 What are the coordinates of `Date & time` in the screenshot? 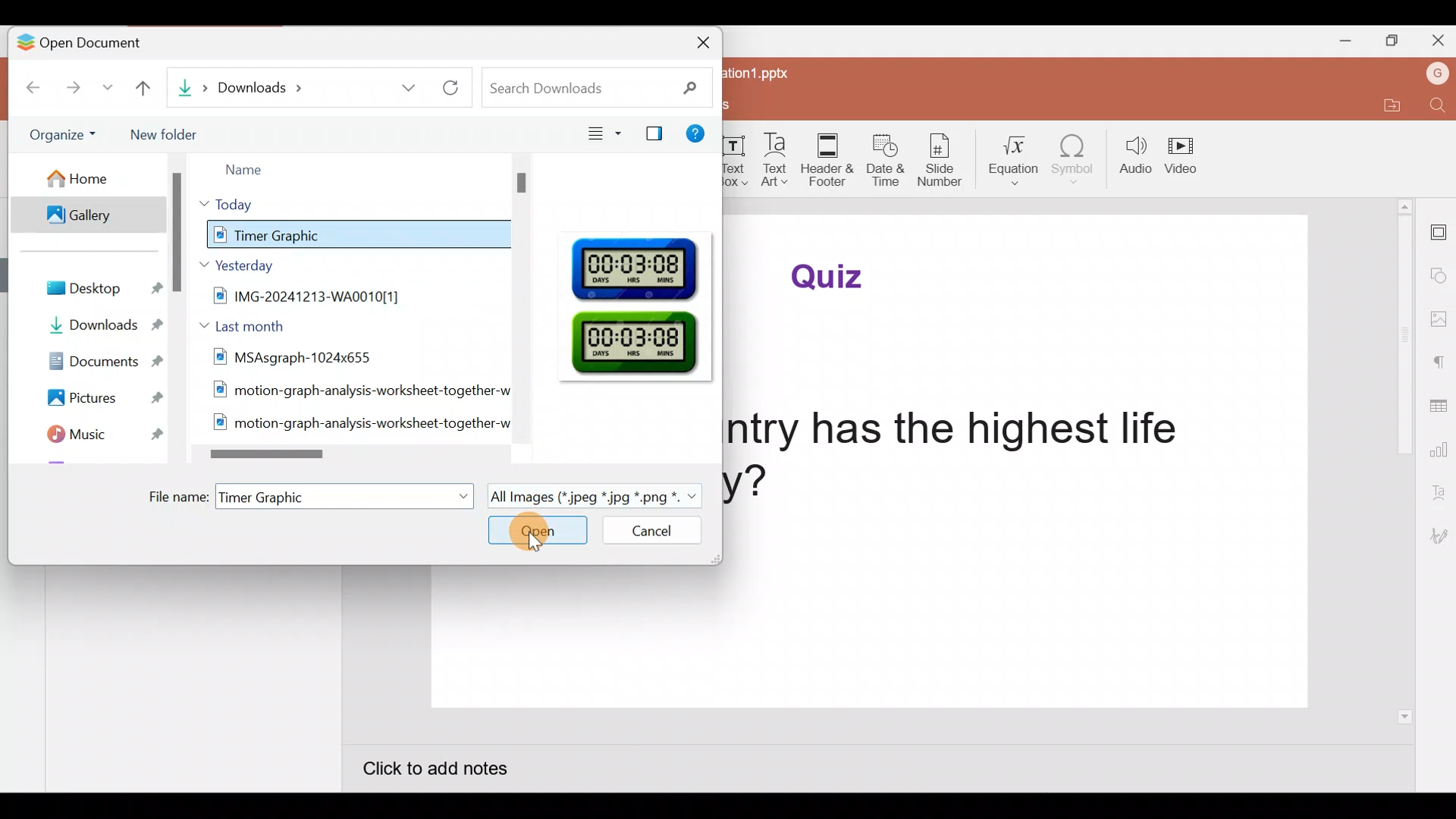 It's located at (886, 163).